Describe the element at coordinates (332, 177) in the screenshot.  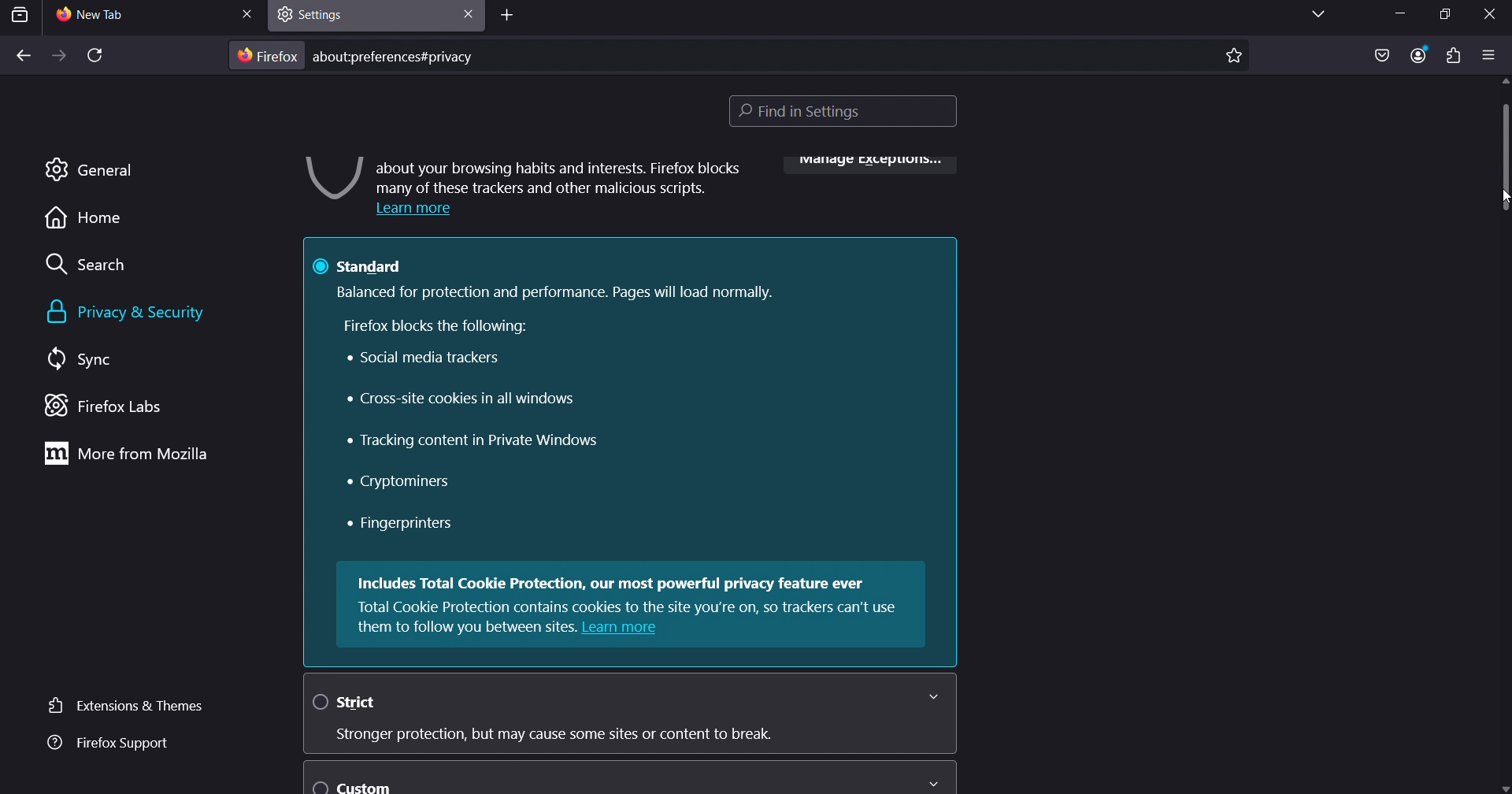
I see `image` at that location.